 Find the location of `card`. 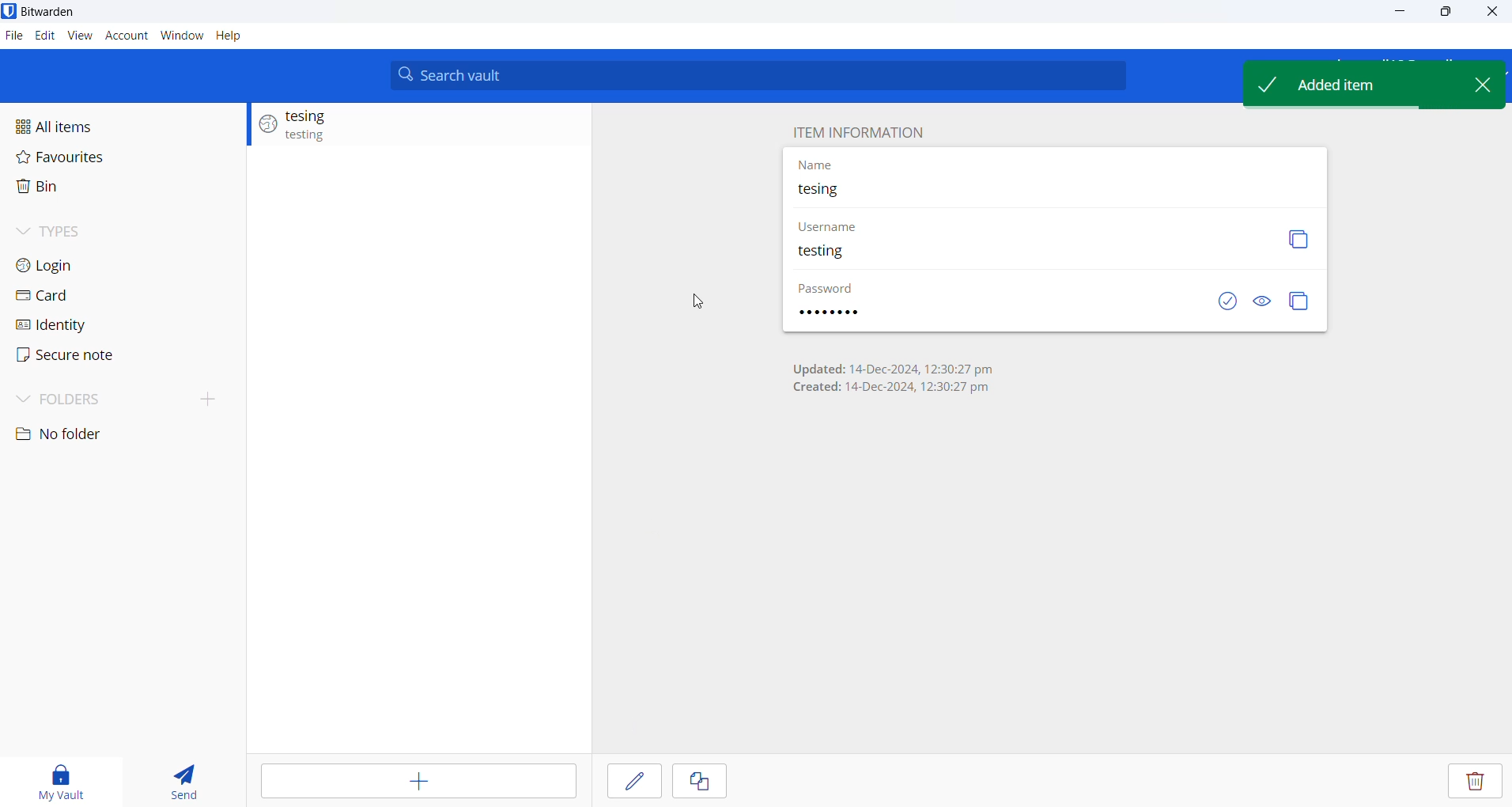

card is located at coordinates (63, 297).